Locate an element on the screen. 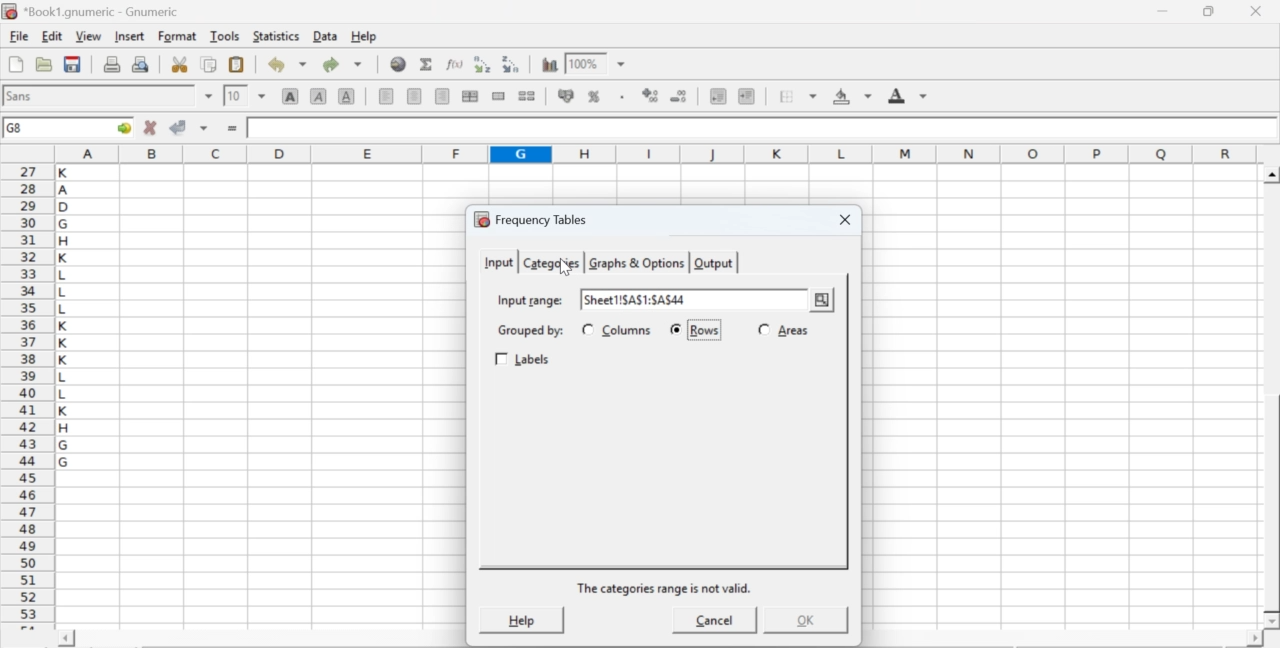  copy is located at coordinates (210, 64).